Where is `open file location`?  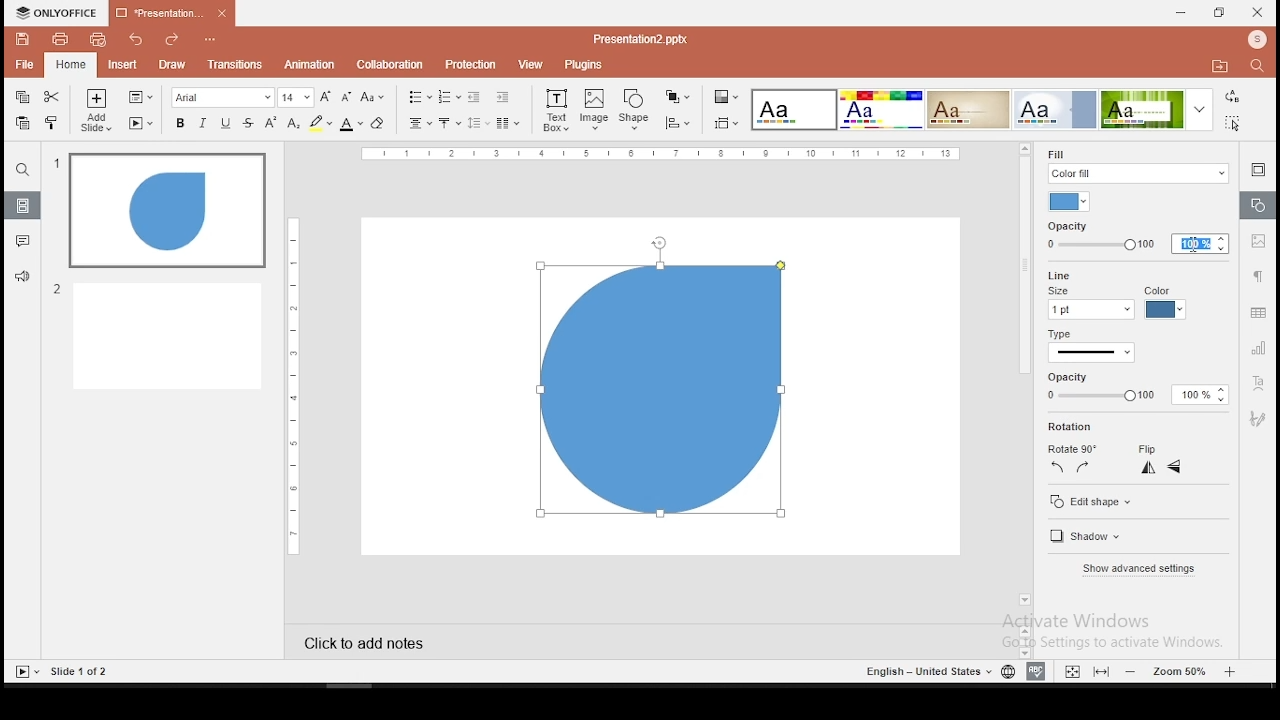
open file location is located at coordinates (1216, 66).